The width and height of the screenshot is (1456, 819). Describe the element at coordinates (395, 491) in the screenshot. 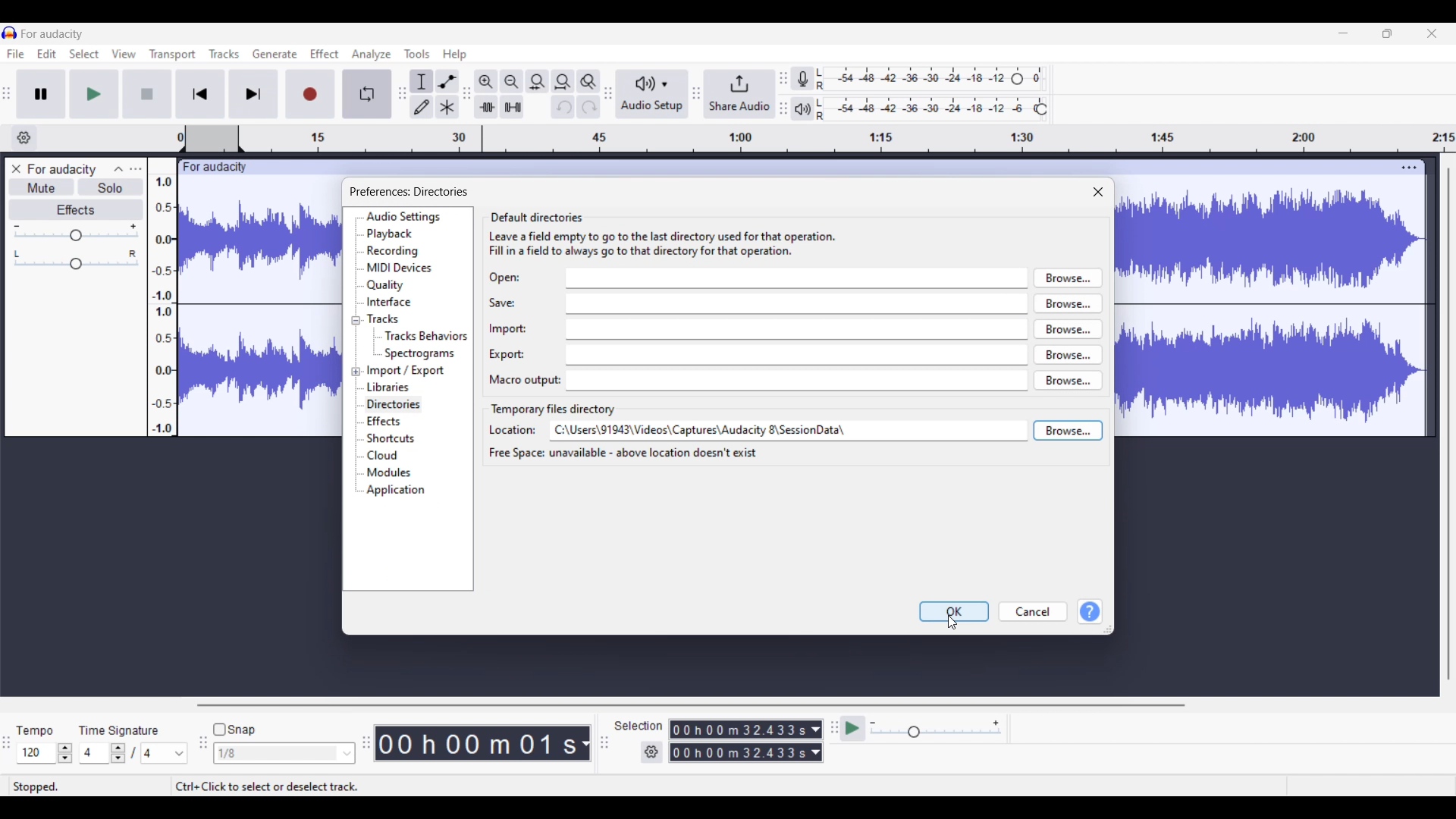

I see `Application` at that location.